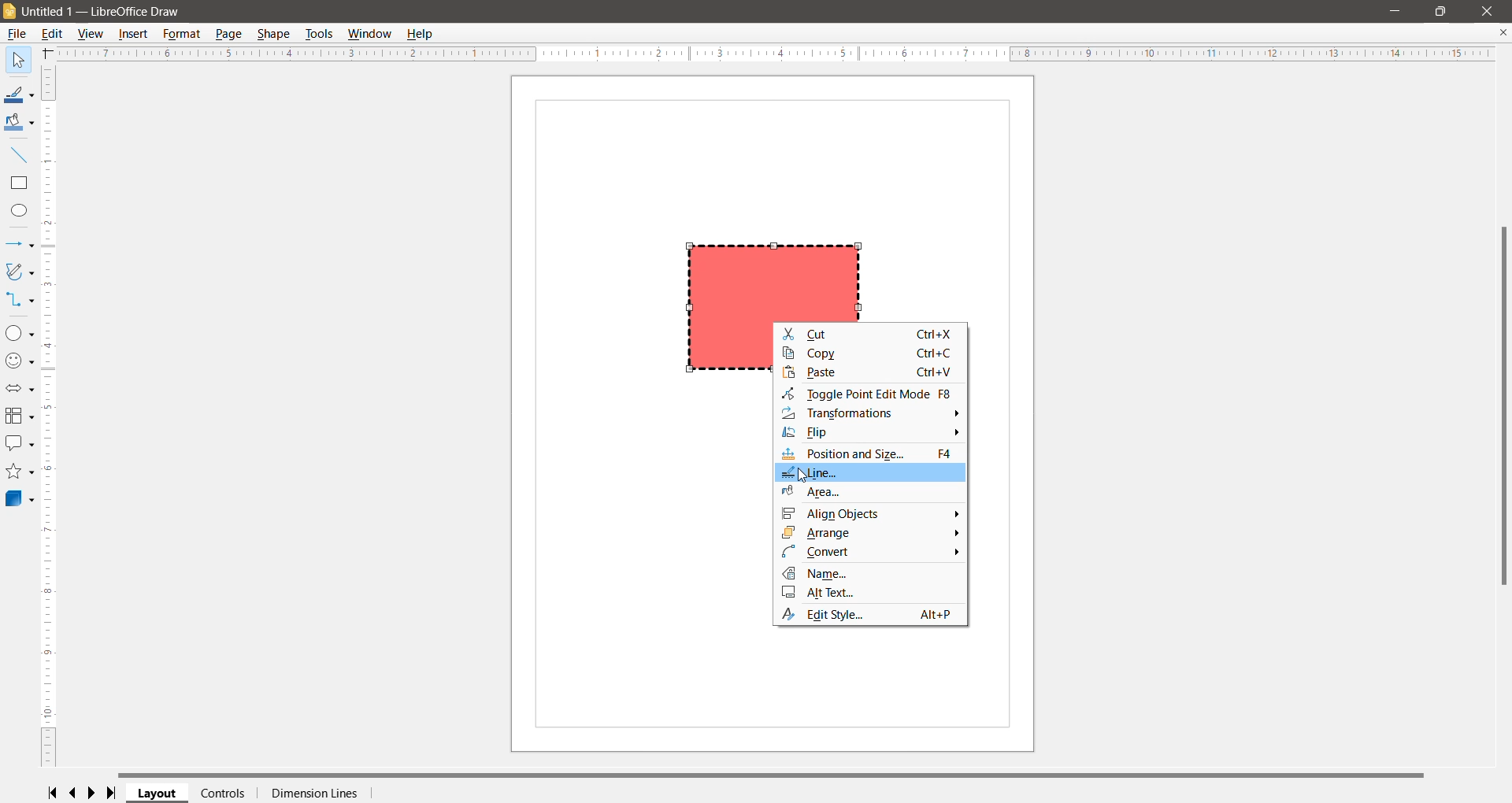  What do you see at coordinates (157, 794) in the screenshot?
I see `Layout` at bounding box center [157, 794].